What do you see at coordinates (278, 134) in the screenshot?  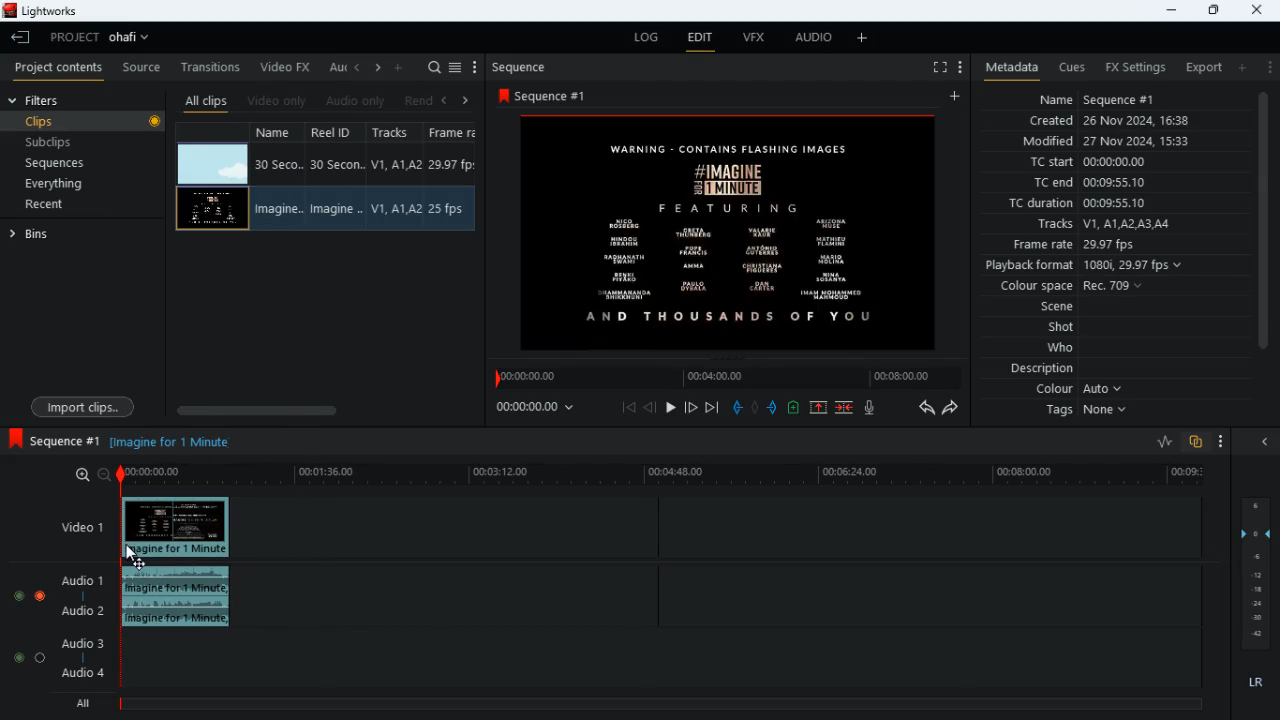 I see `name` at bounding box center [278, 134].